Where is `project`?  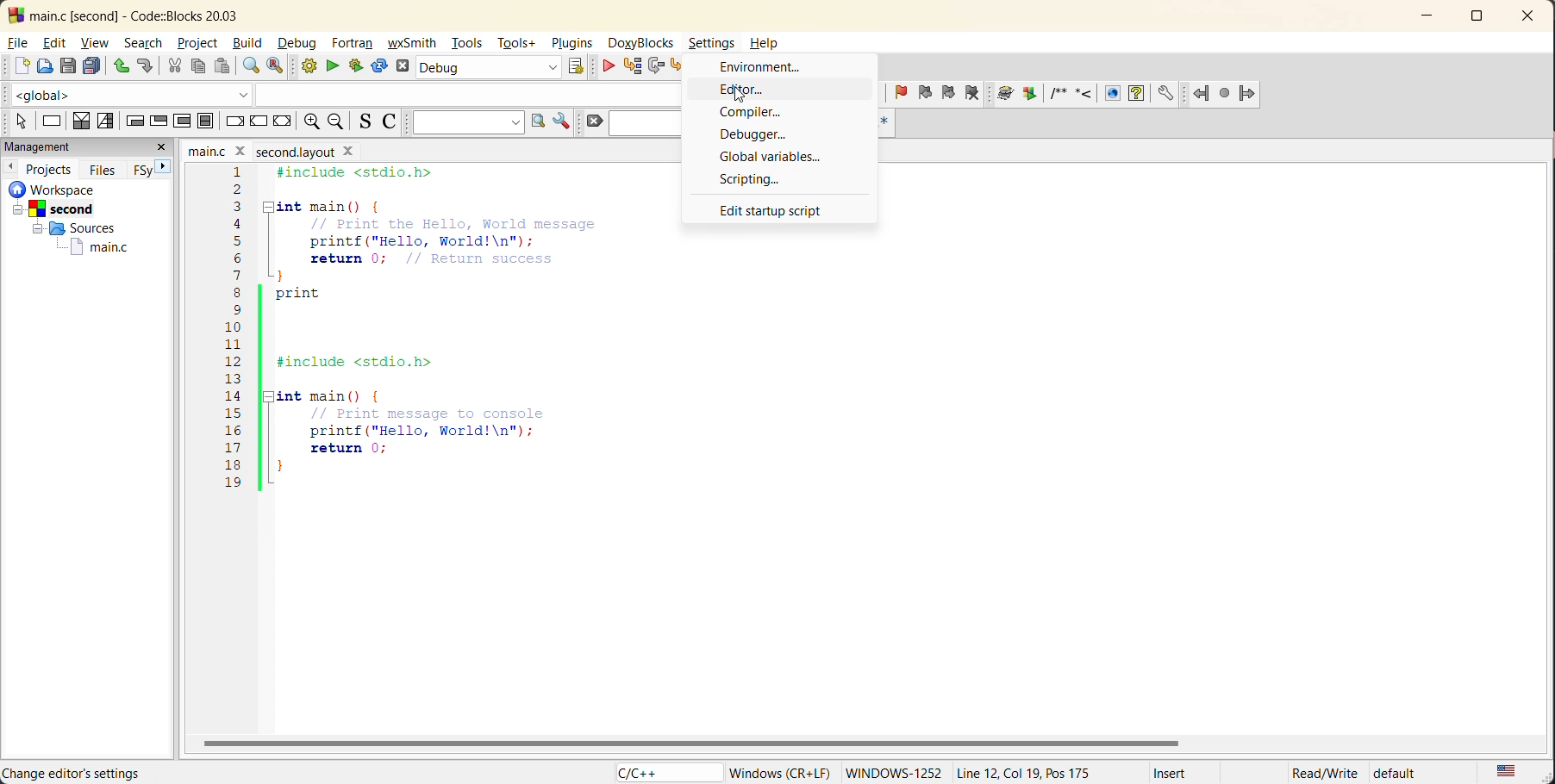 project is located at coordinates (200, 45).